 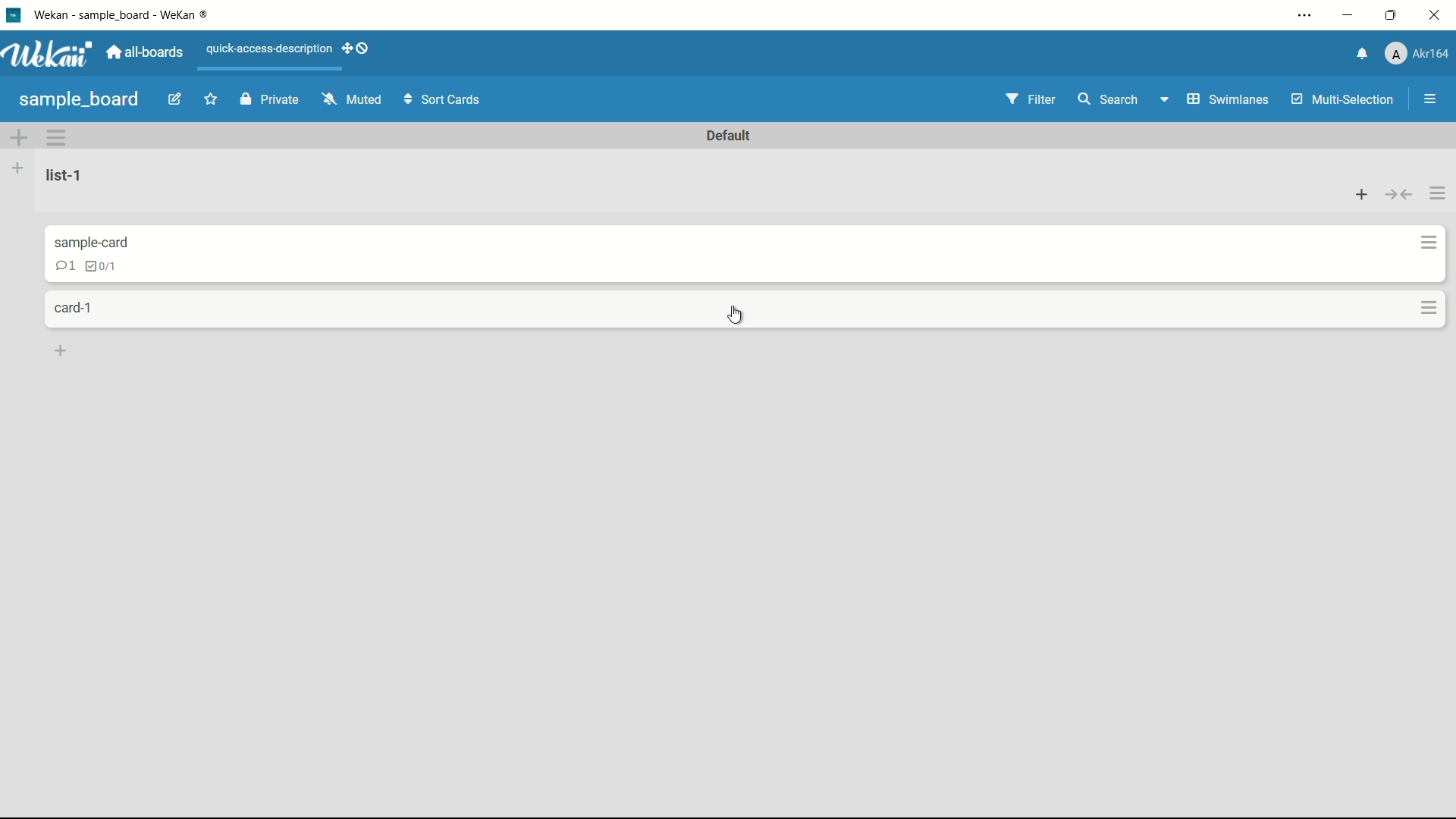 What do you see at coordinates (19, 168) in the screenshot?
I see `add list` at bounding box center [19, 168].